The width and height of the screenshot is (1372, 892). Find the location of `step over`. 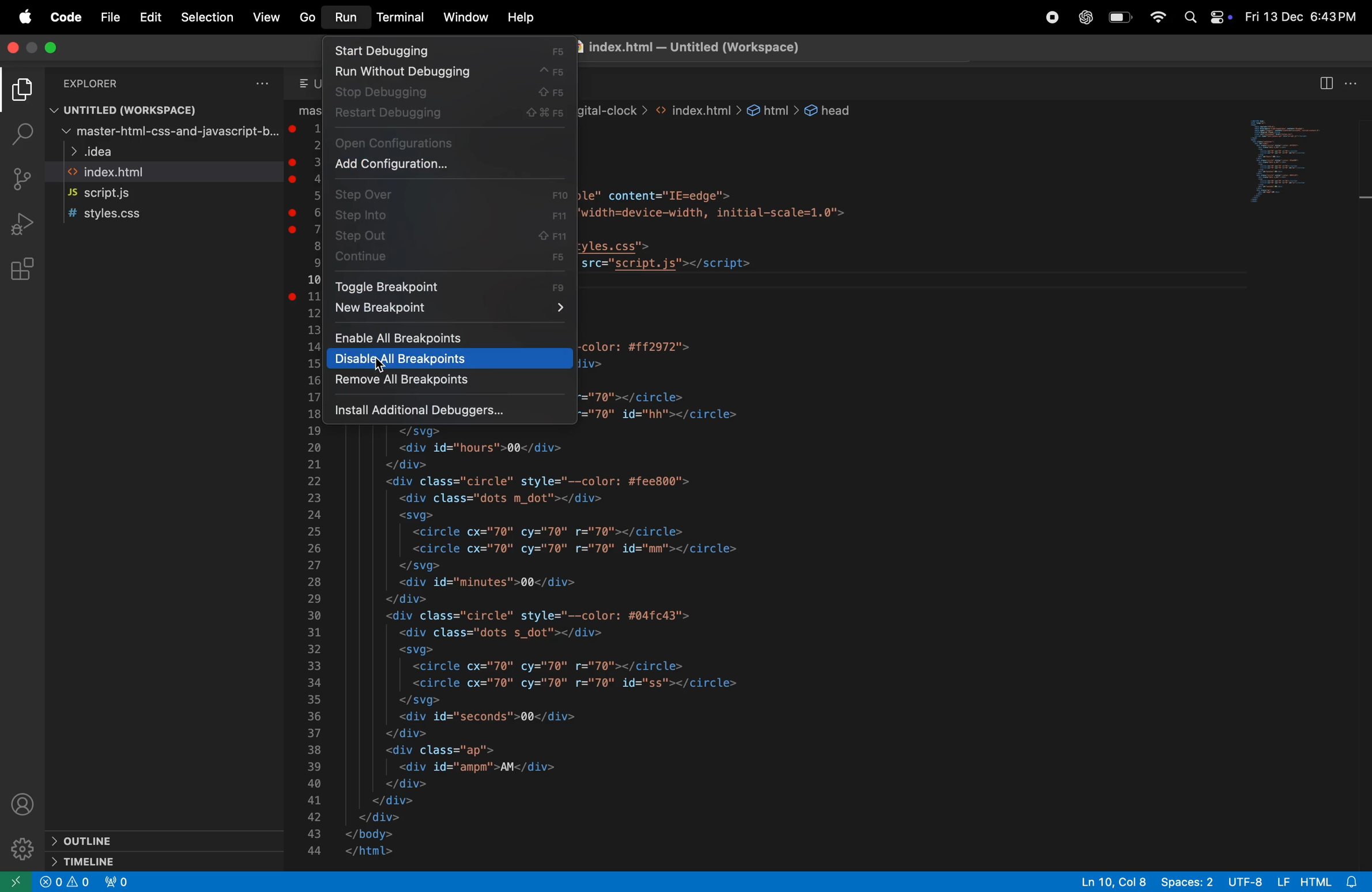

step over is located at coordinates (455, 193).